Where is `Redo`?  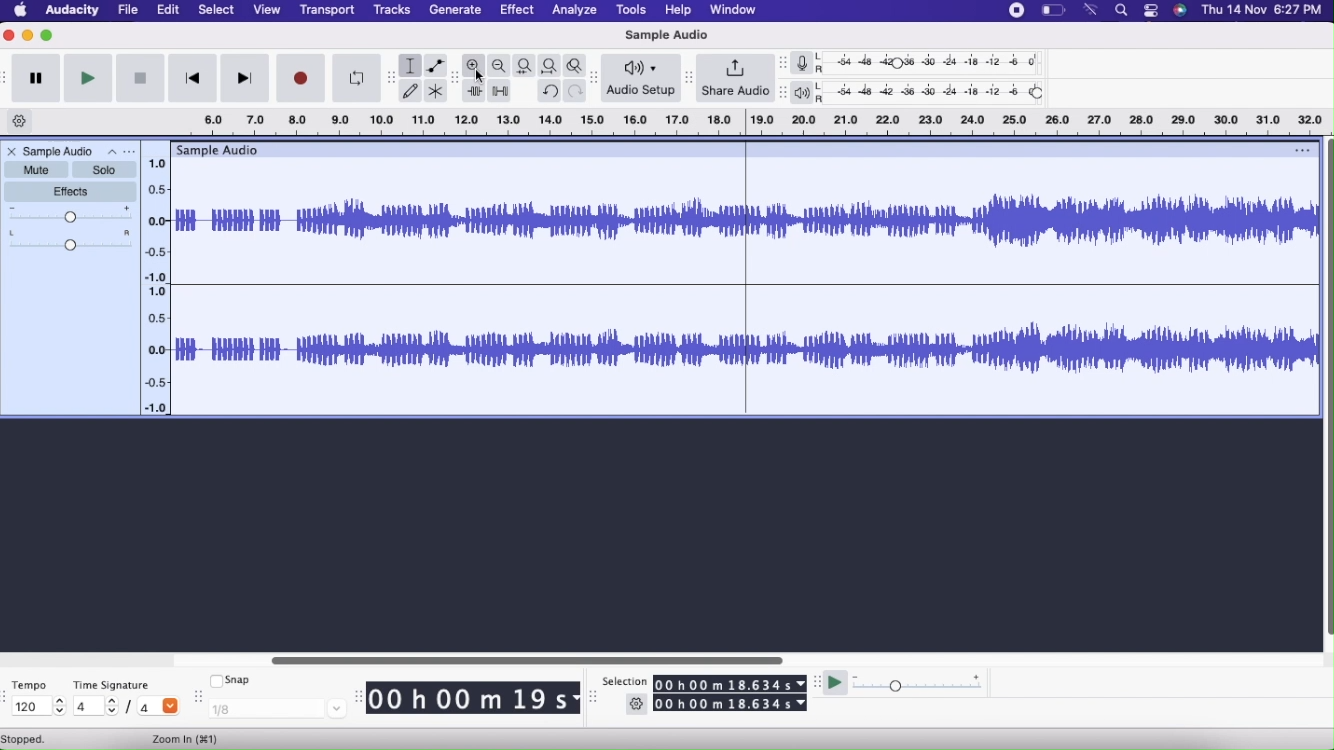 Redo is located at coordinates (576, 91).